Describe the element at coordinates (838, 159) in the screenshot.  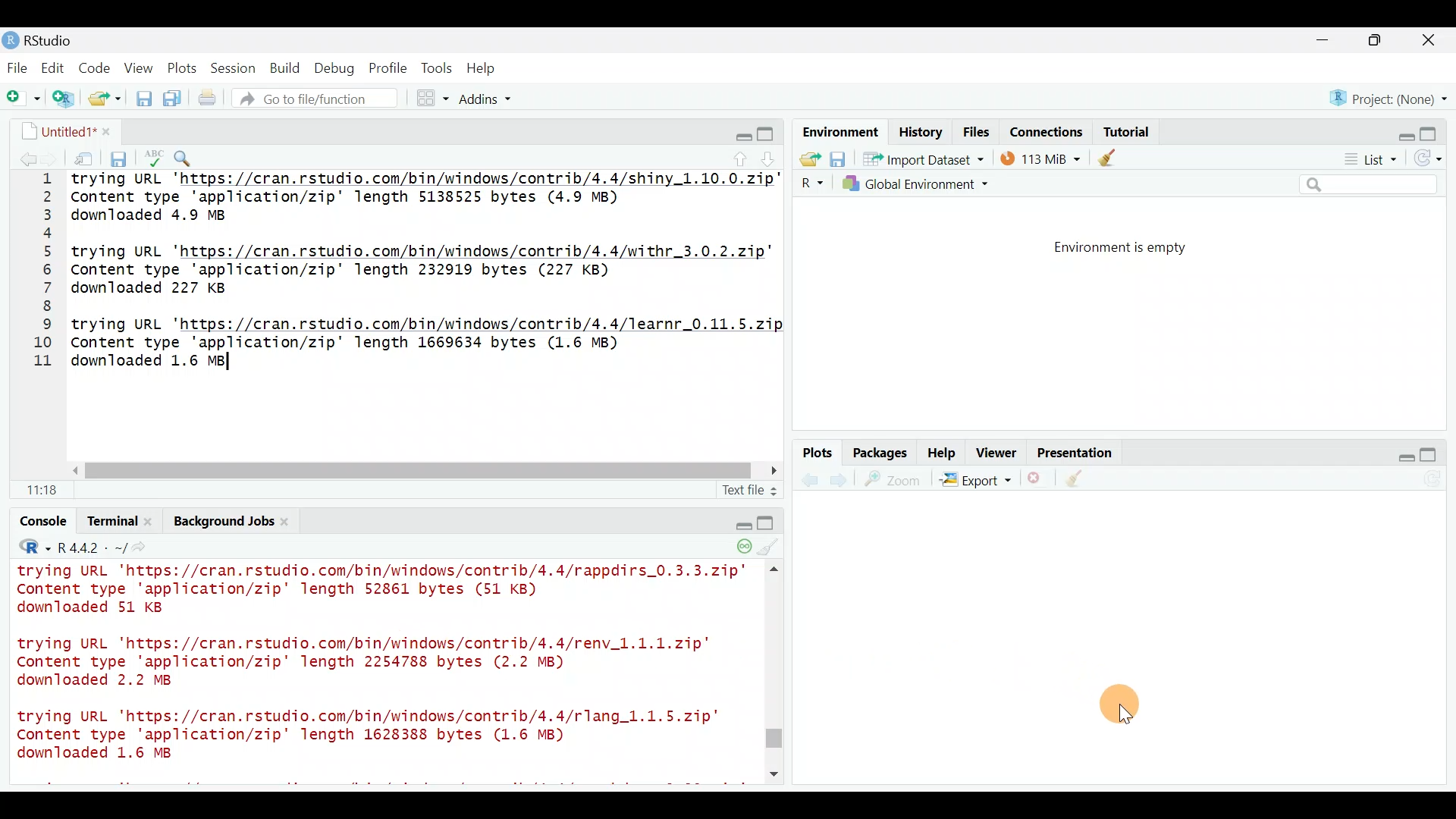
I see `save workspace as` at that location.